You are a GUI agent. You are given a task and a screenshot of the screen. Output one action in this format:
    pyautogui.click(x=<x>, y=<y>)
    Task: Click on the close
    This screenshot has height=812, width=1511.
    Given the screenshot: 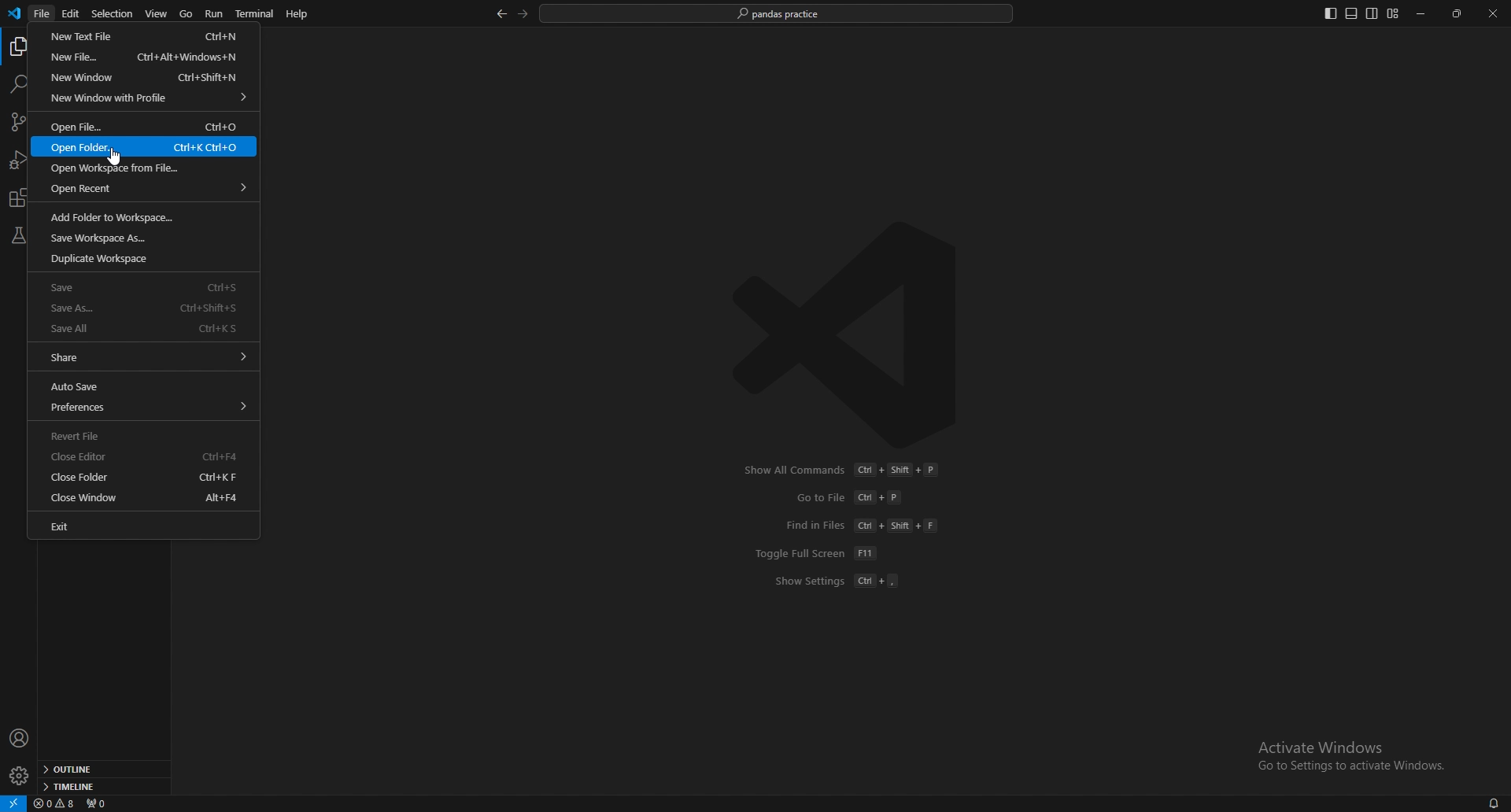 What is the action you would take?
    pyautogui.click(x=1493, y=13)
    